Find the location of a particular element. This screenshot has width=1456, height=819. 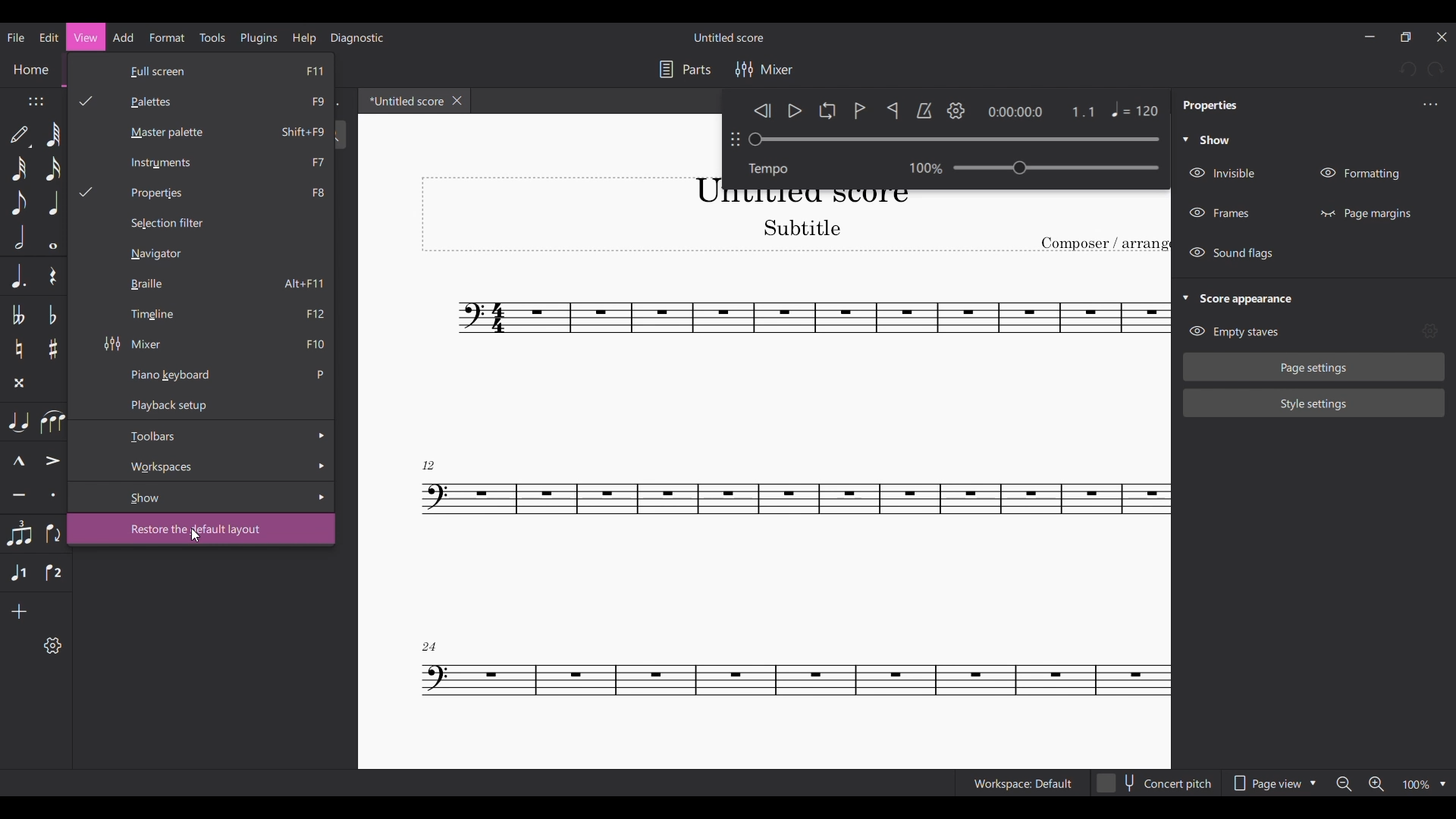

Current composition is located at coordinates (795, 504).